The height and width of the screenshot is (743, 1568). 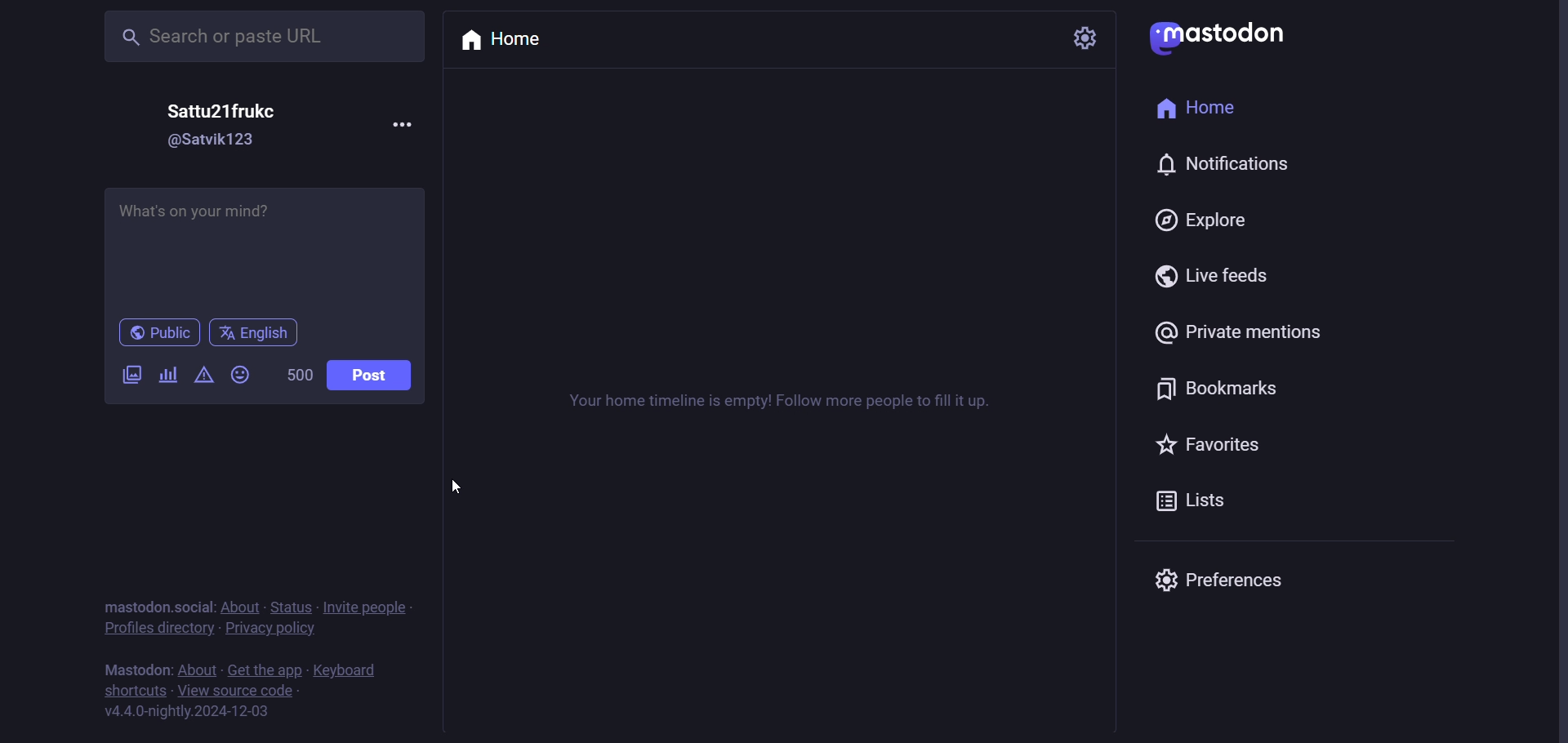 I want to click on social, so click(x=195, y=606).